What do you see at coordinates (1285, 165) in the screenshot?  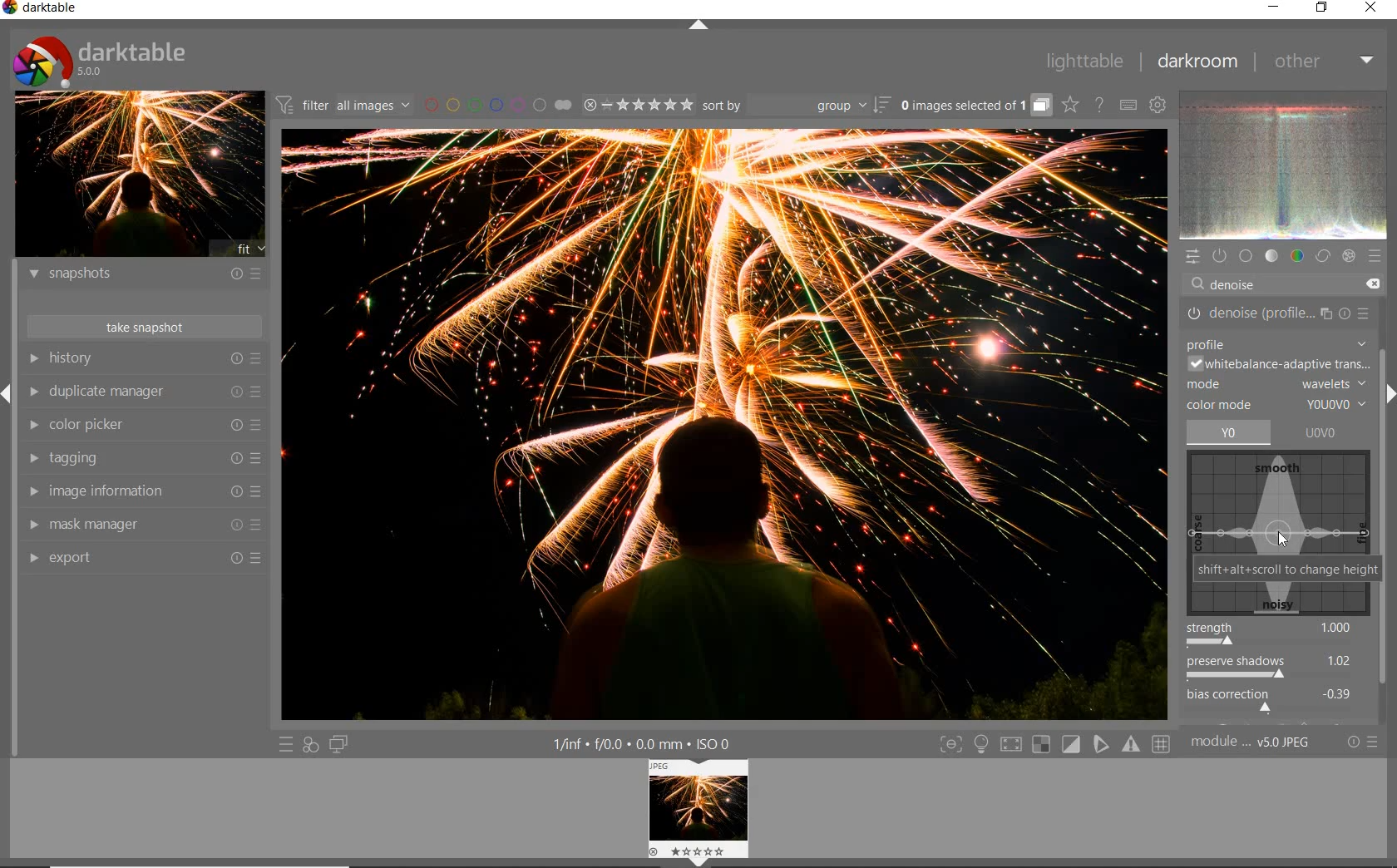 I see `waveform` at bounding box center [1285, 165].